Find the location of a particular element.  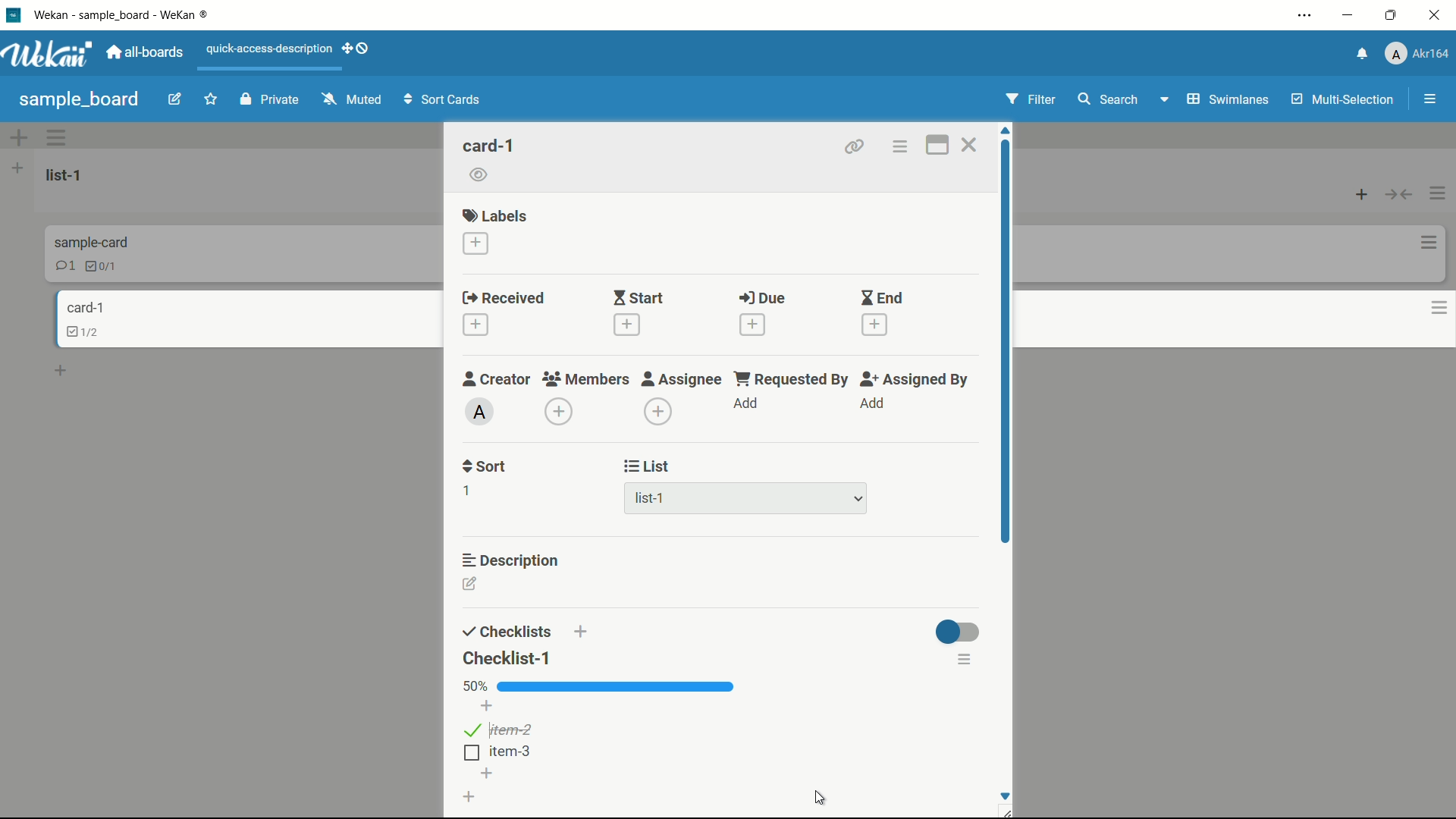

settings and more is located at coordinates (1300, 15).